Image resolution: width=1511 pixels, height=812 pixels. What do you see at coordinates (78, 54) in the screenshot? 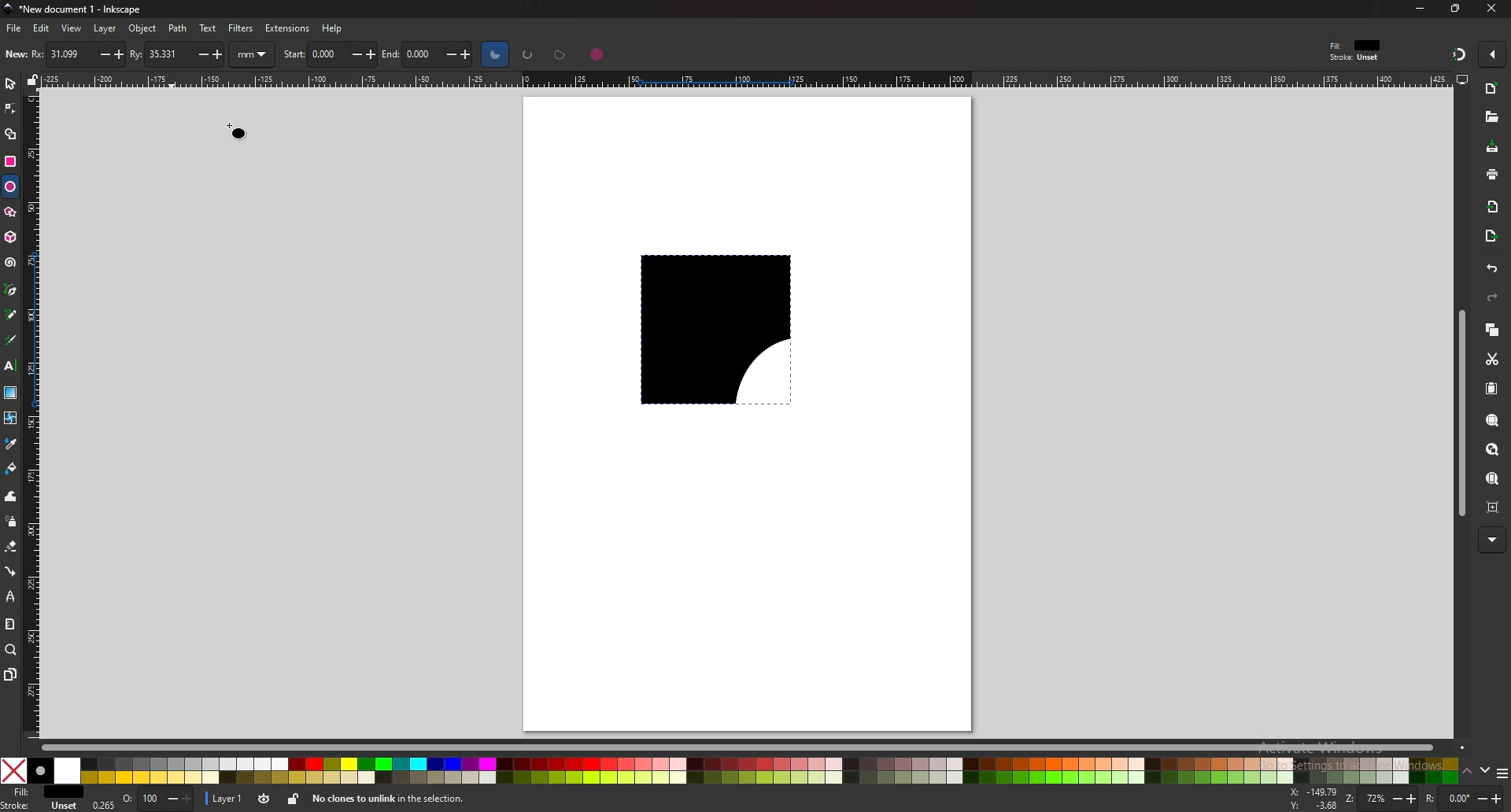
I see `horizontal radius` at bounding box center [78, 54].